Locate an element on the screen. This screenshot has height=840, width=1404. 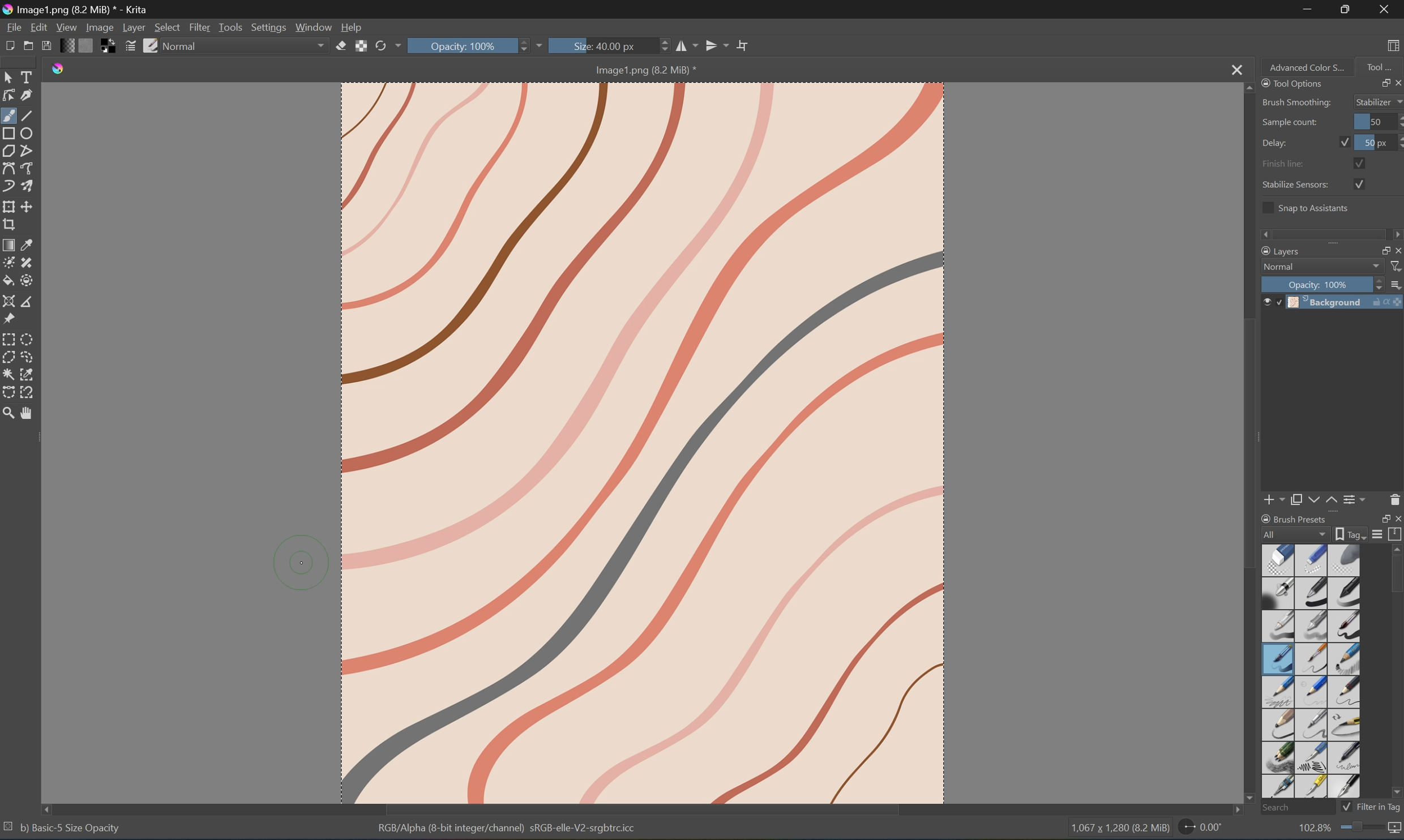
Measure the distance between two points is located at coordinates (27, 302).